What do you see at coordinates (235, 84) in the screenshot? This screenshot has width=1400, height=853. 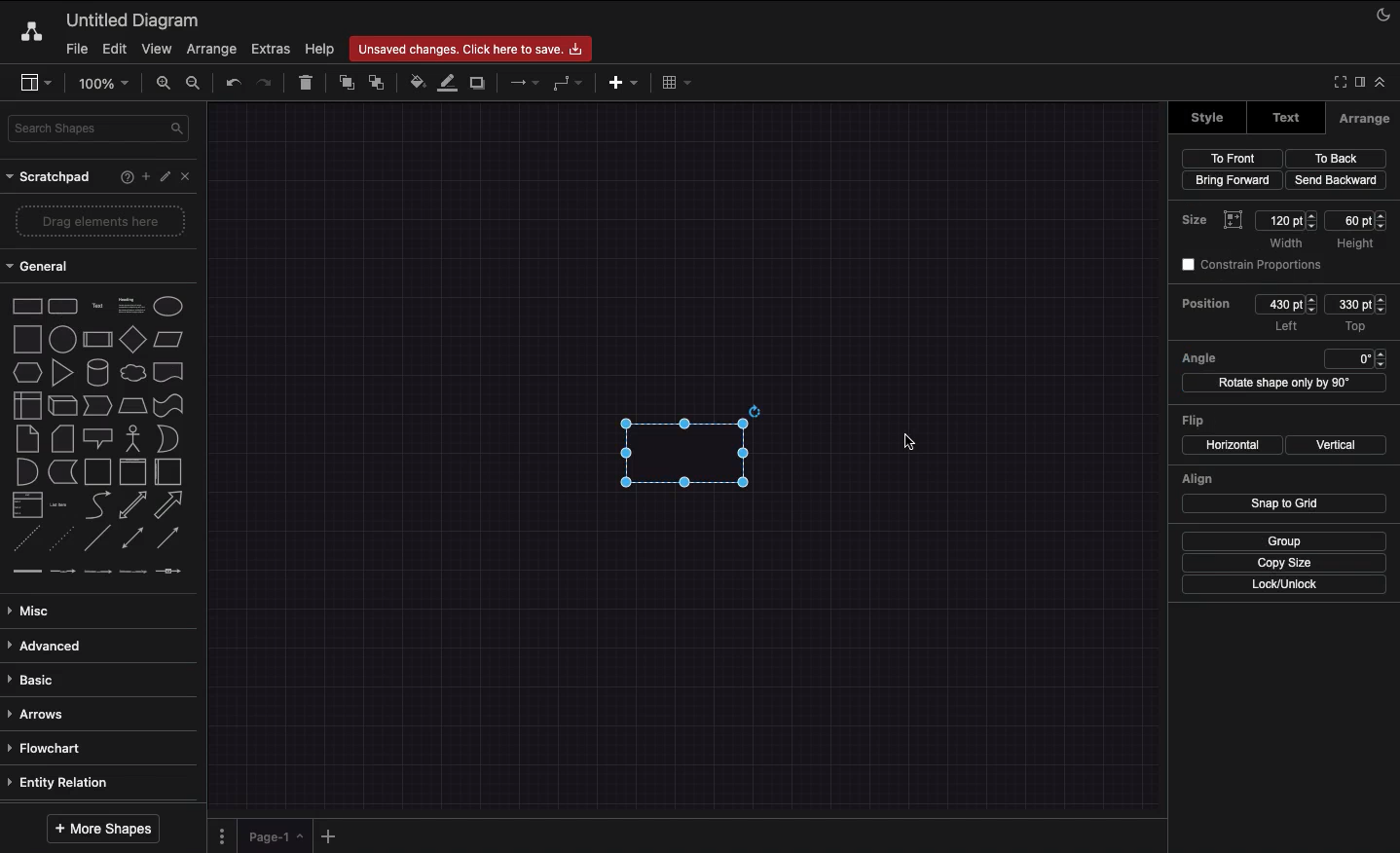 I see `Undo` at bounding box center [235, 84].